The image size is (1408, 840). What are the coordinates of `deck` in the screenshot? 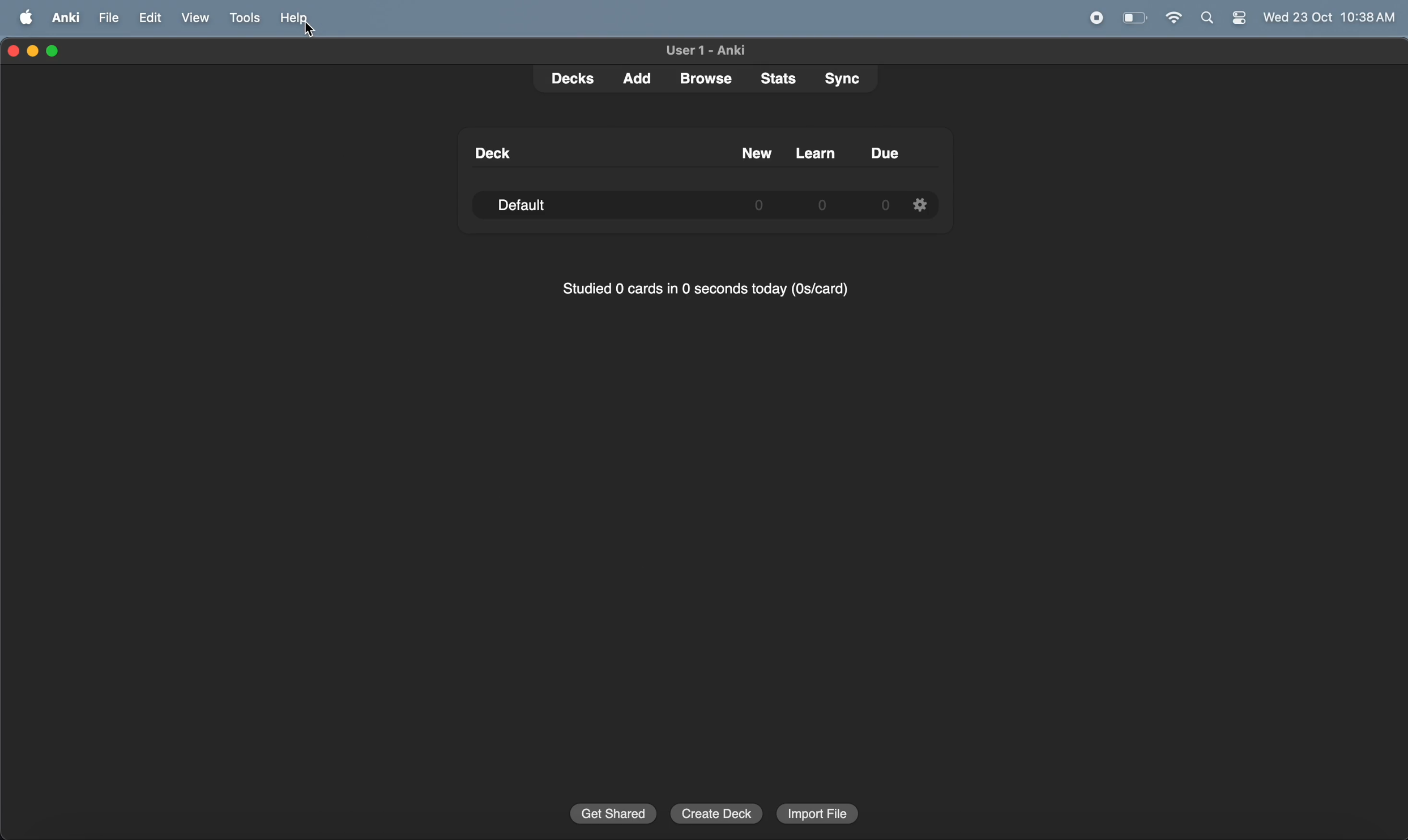 It's located at (490, 153).